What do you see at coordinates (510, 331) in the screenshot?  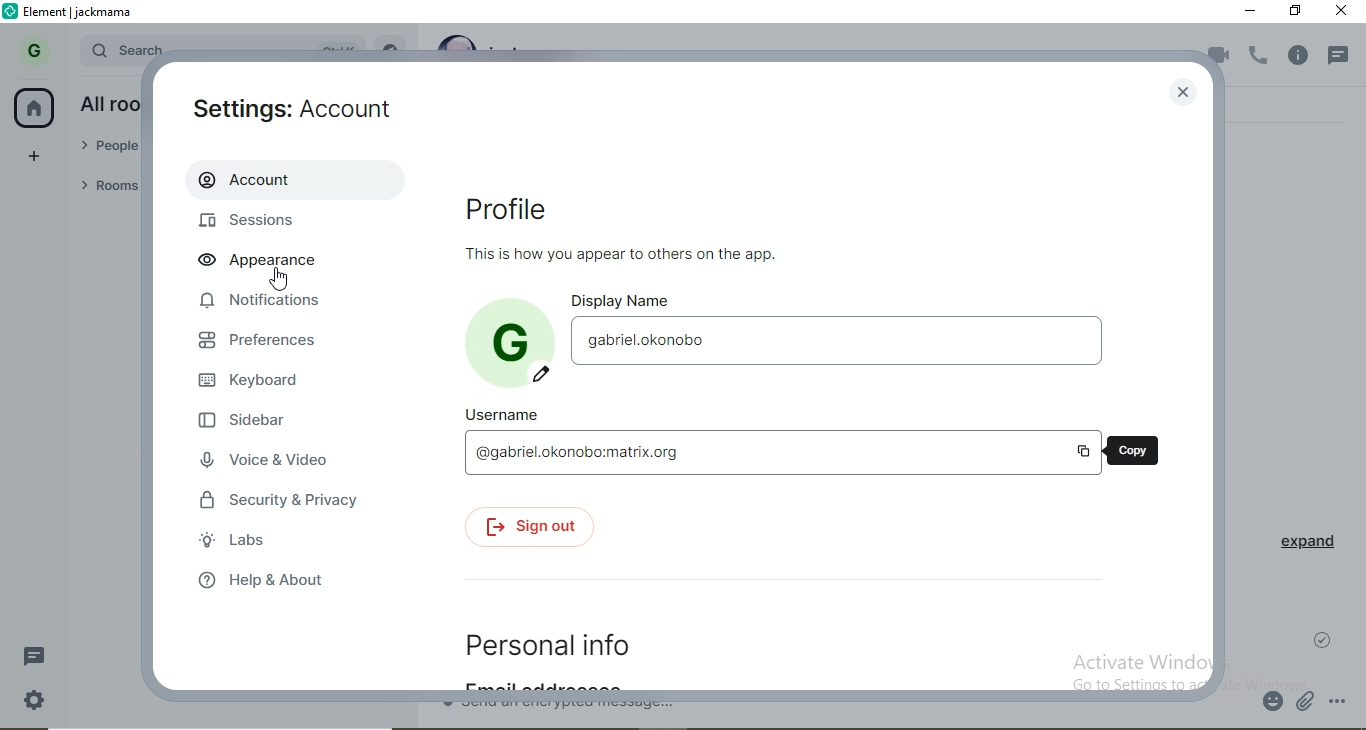 I see `profile photo` at bounding box center [510, 331].